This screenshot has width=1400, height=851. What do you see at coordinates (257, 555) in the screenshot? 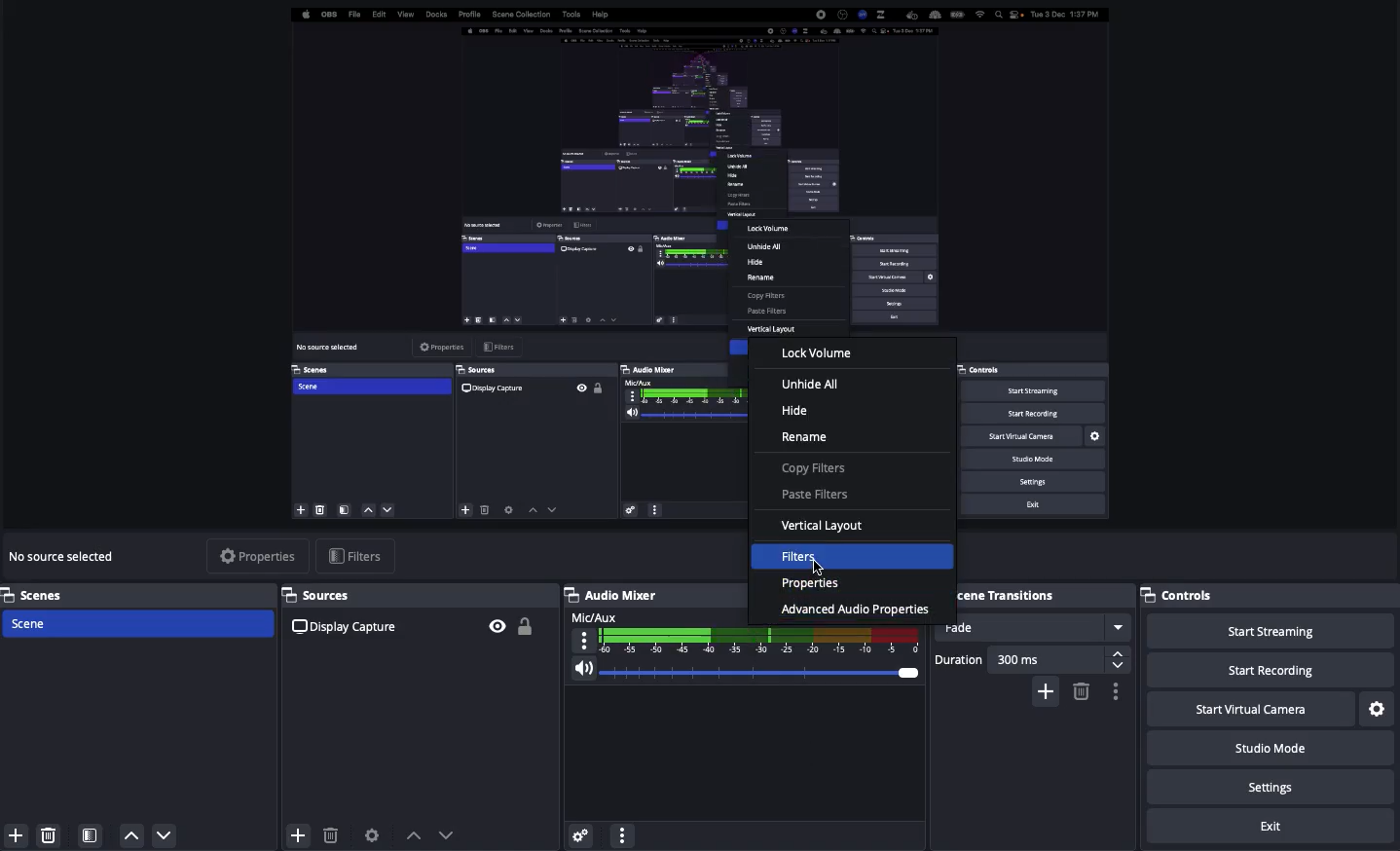
I see `Properties` at bounding box center [257, 555].